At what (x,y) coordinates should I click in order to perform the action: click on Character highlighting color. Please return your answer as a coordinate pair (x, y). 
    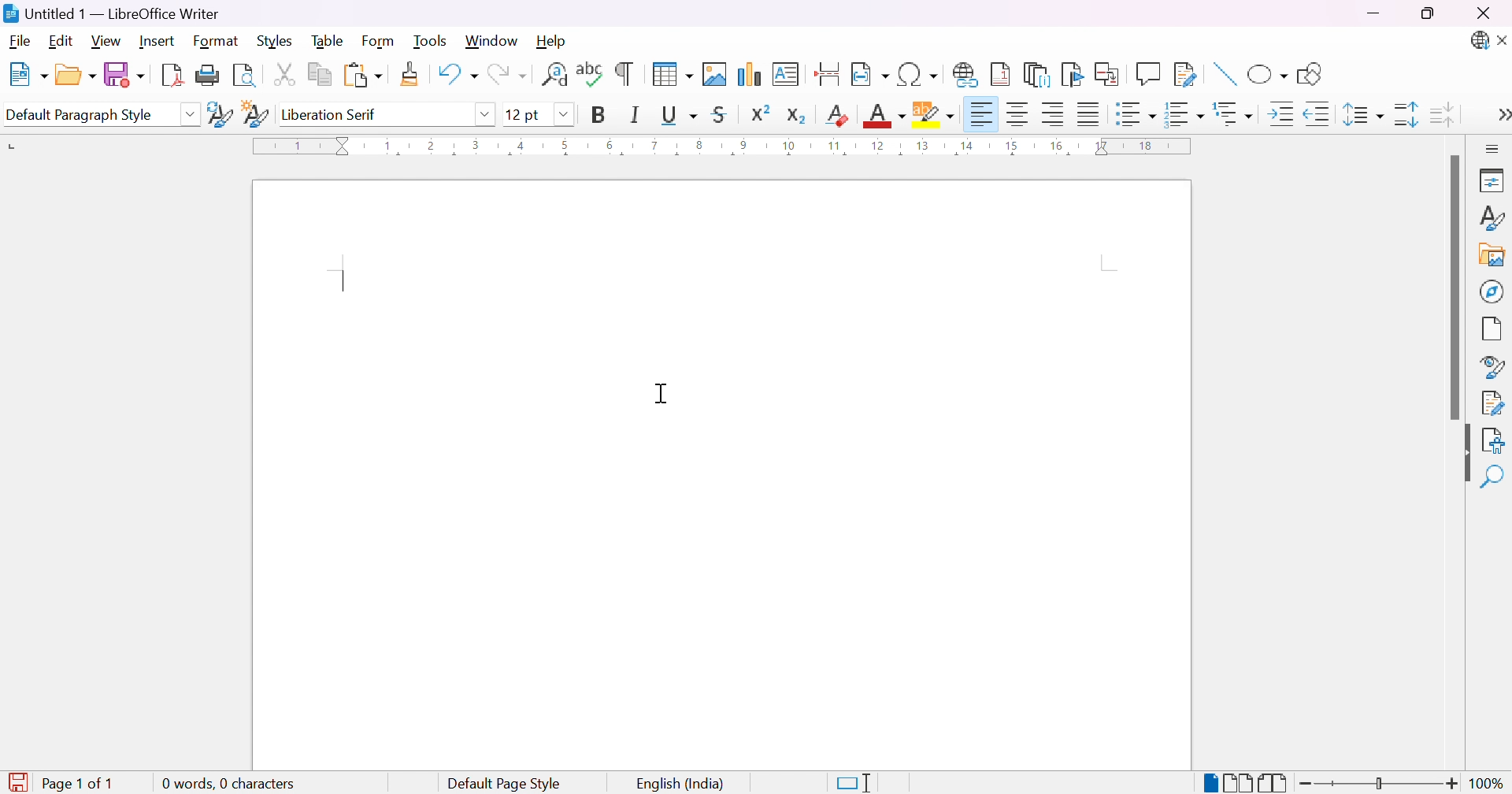
    Looking at the image, I should click on (935, 114).